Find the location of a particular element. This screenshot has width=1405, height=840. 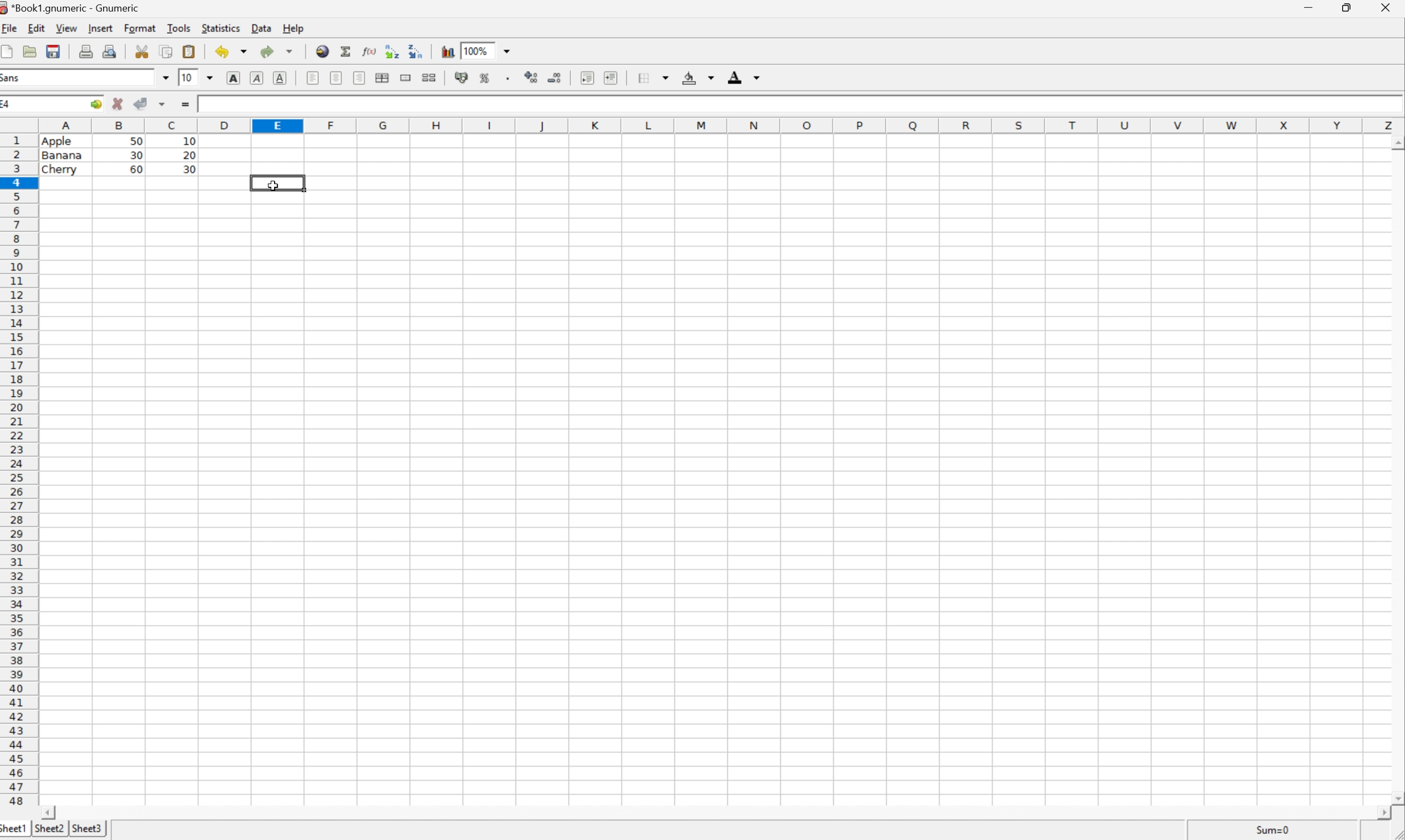

sheet3 is located at coordinates (89, 829).